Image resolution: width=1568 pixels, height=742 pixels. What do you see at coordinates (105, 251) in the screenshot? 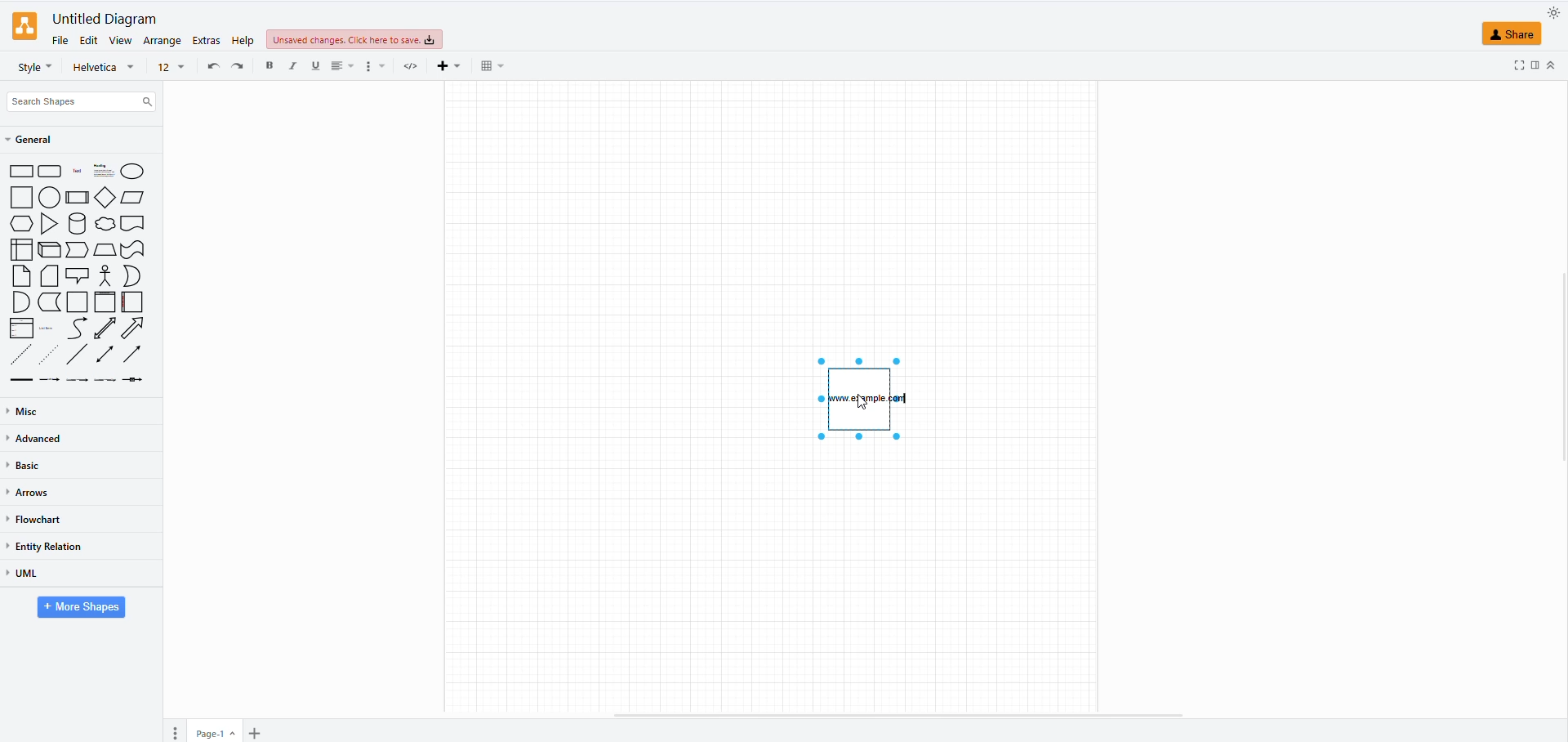
I see `trapezoid` at bounding box center [105, 251].